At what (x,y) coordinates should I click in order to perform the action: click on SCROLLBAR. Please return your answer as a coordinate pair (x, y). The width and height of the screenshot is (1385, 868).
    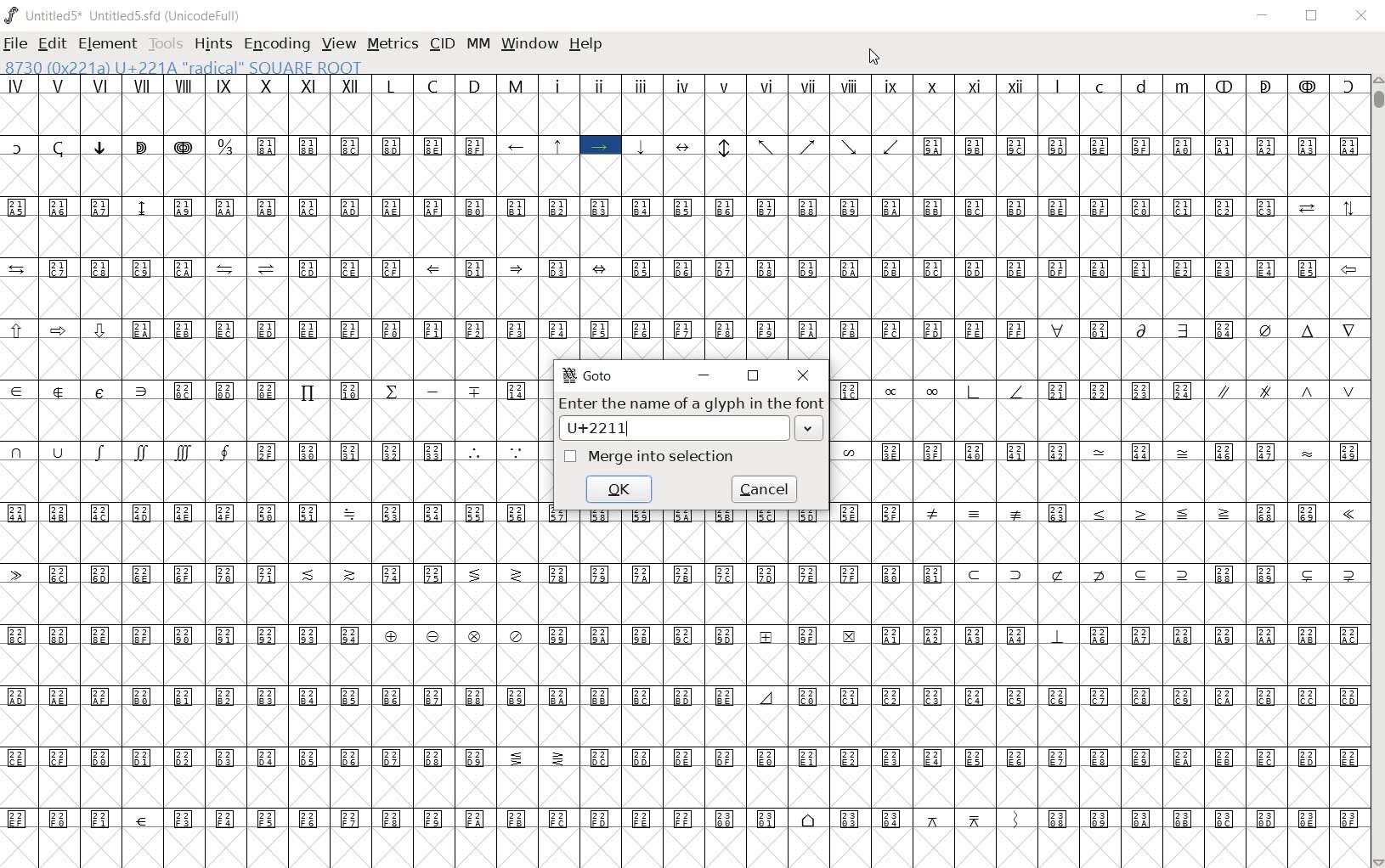
    Looking at the image, I should click on (1377, 470).